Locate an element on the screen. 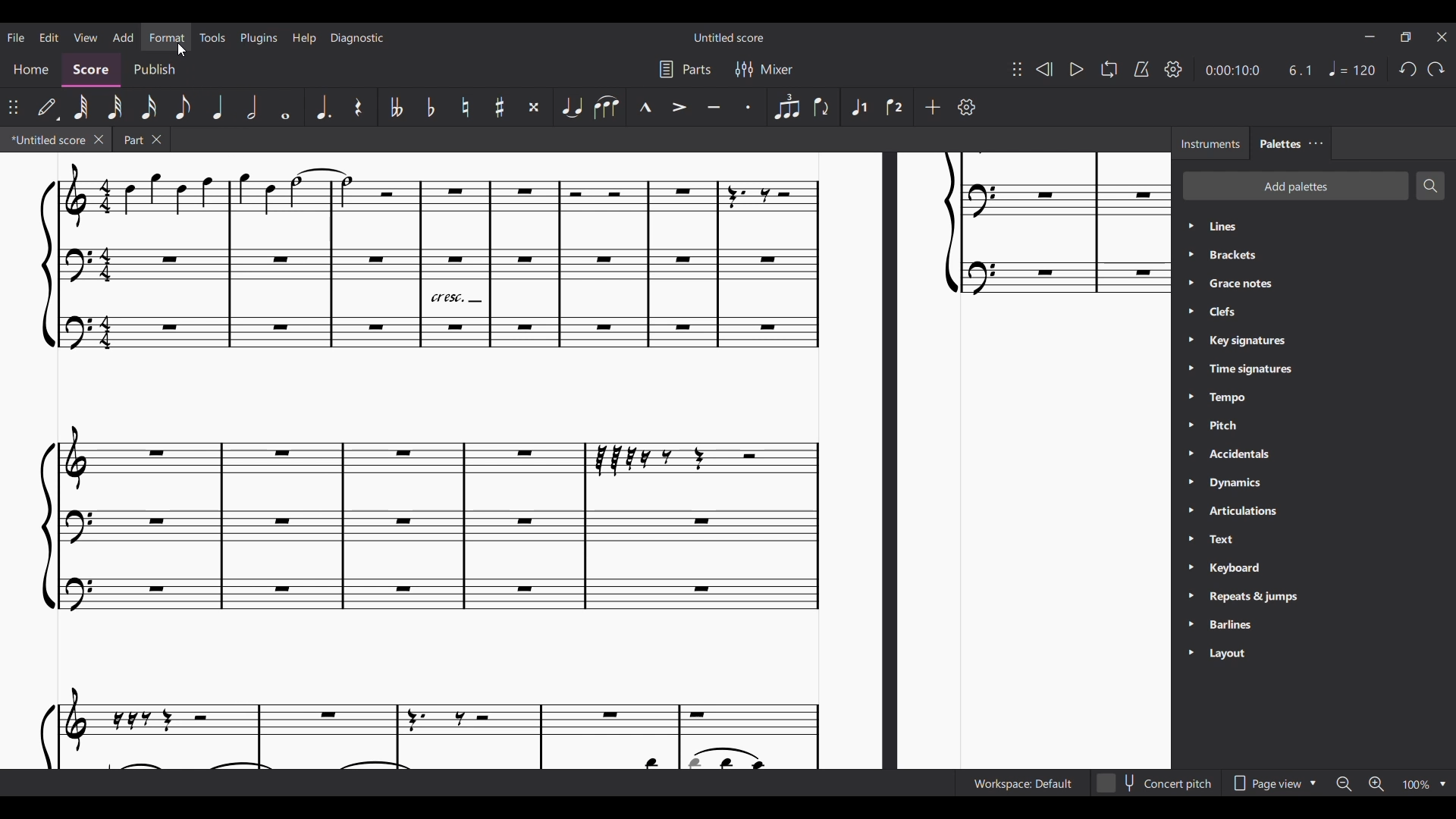  Flip direction is located at coordinates (822, 108).